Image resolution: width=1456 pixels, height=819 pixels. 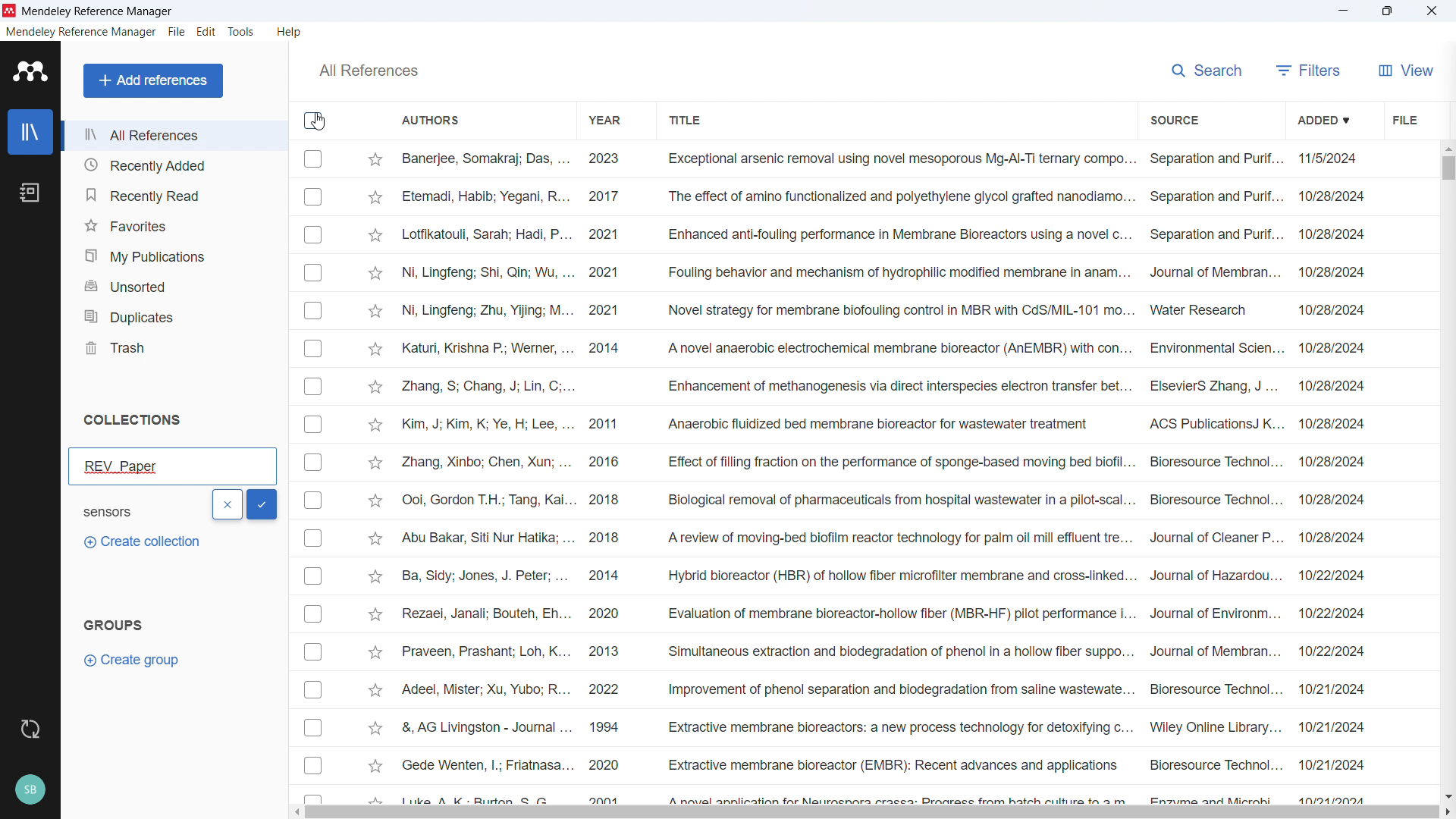 I want to click on Etemadi, Habib; Yegani, R... 2017 The effect of amino functionalized and polyethylene glycol grafted nanodiamo... Separation and Purif... 10/28/2024, so click(x=884, y=196).